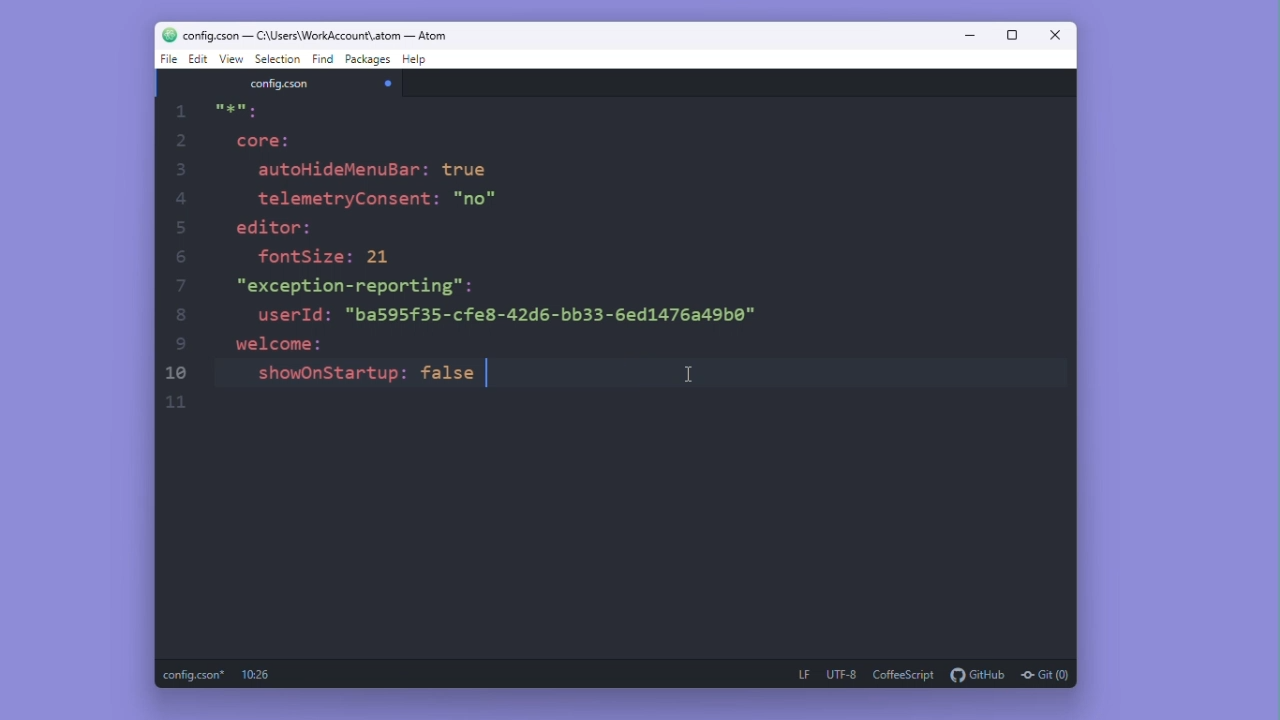  What do you see at coordinates (1044, 674) in the screenshot?
I see `git(0)` at bounding box center [1044, 674].